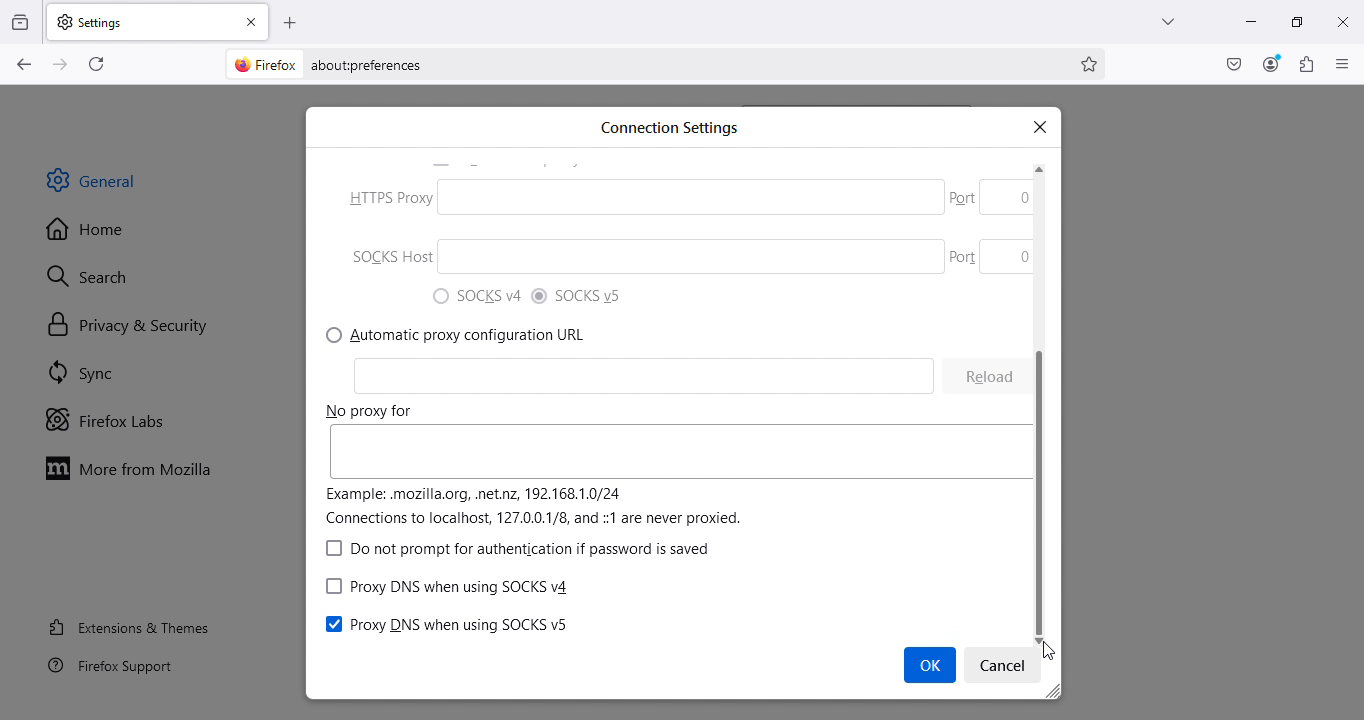 Image resolution: width=1364 pixels, height=720 pixels. I want to click on 0 Auto-detect proxy settings for this network, so click(578, 297).